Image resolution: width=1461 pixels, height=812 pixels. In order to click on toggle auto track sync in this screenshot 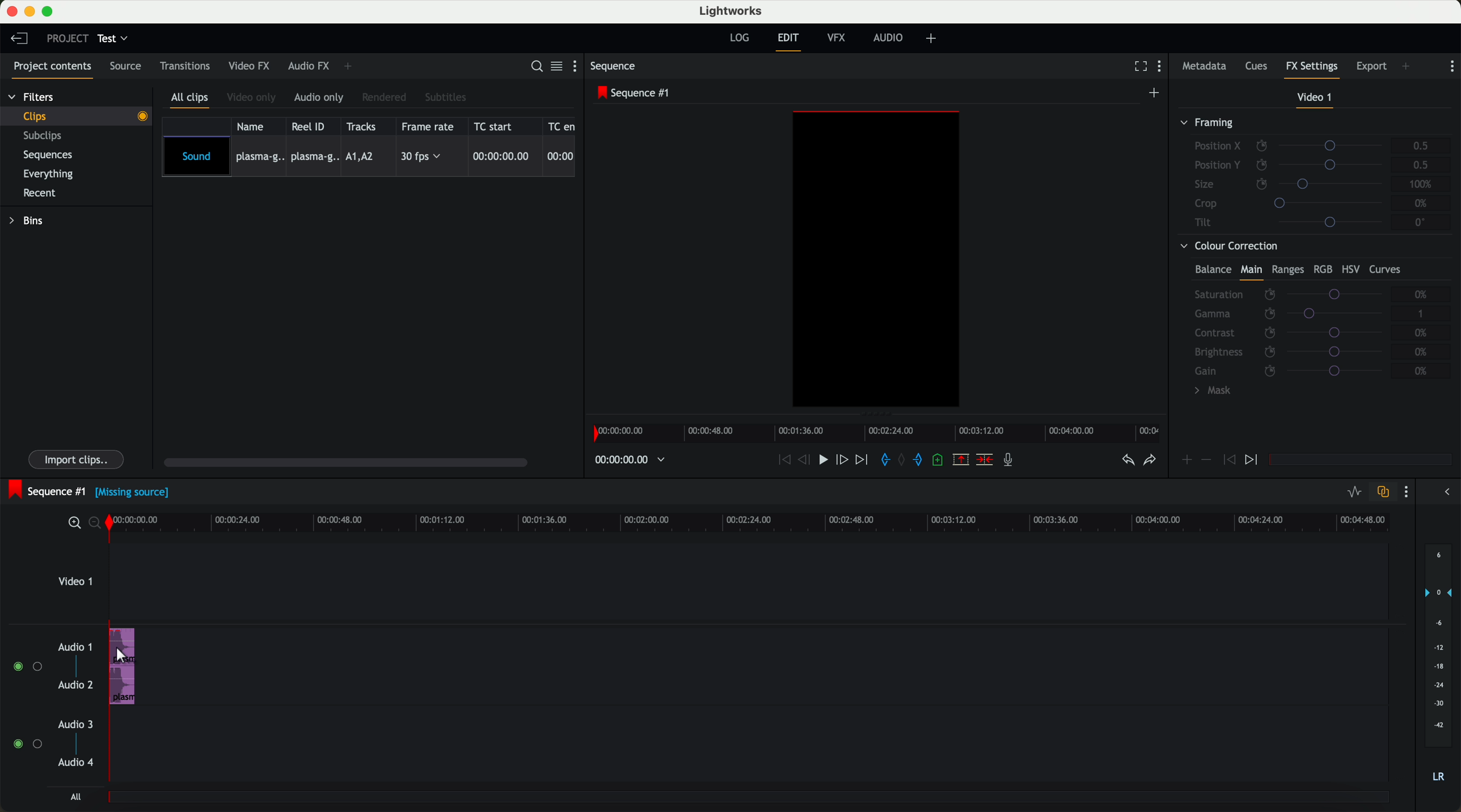, I will do `click(1383, 492)`.